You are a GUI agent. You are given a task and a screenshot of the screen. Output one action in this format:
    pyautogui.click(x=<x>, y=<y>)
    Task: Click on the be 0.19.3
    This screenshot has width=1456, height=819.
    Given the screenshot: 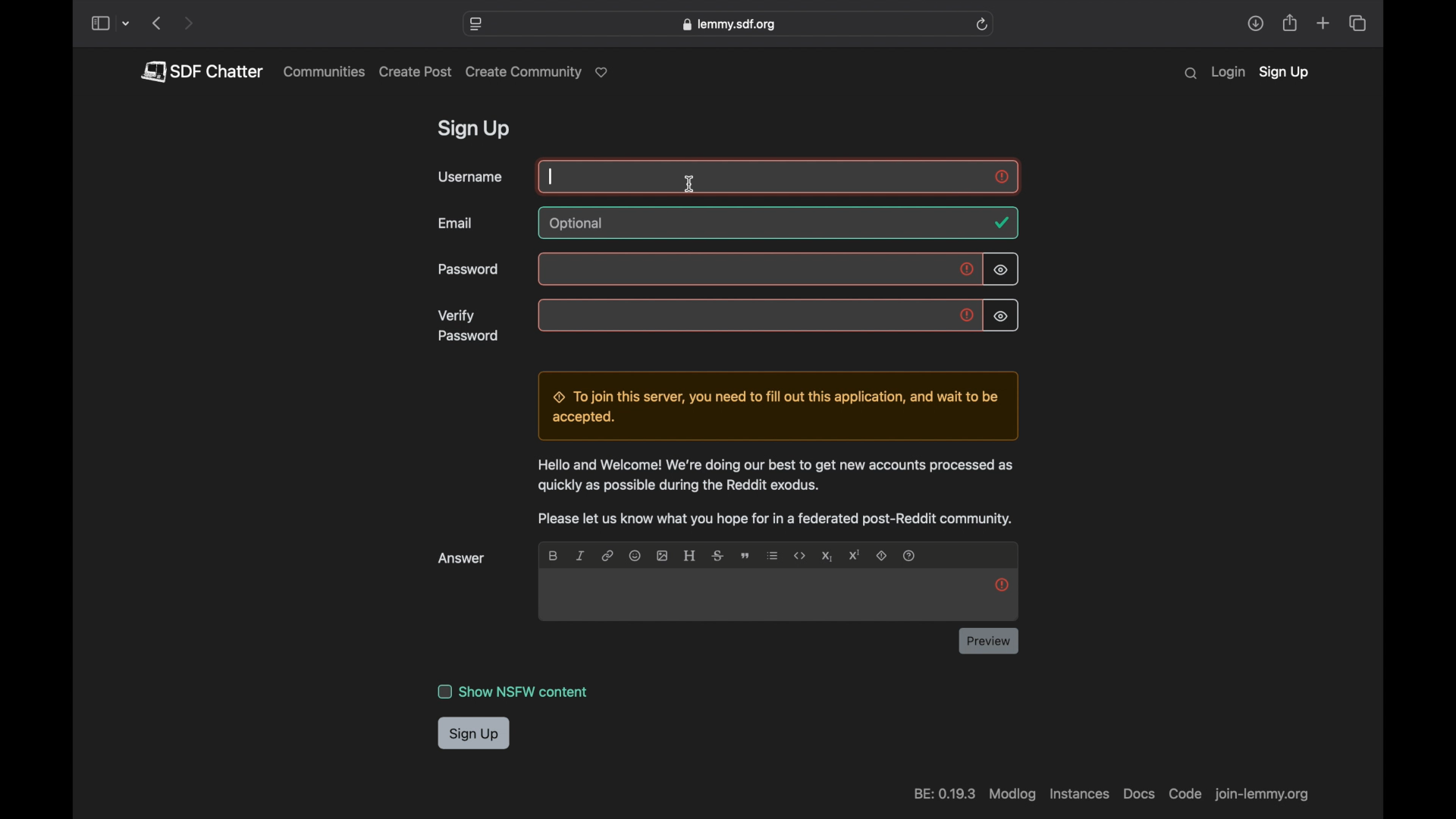 What is the action you would take?
    pyautogui.click(x=943, y=794)
    